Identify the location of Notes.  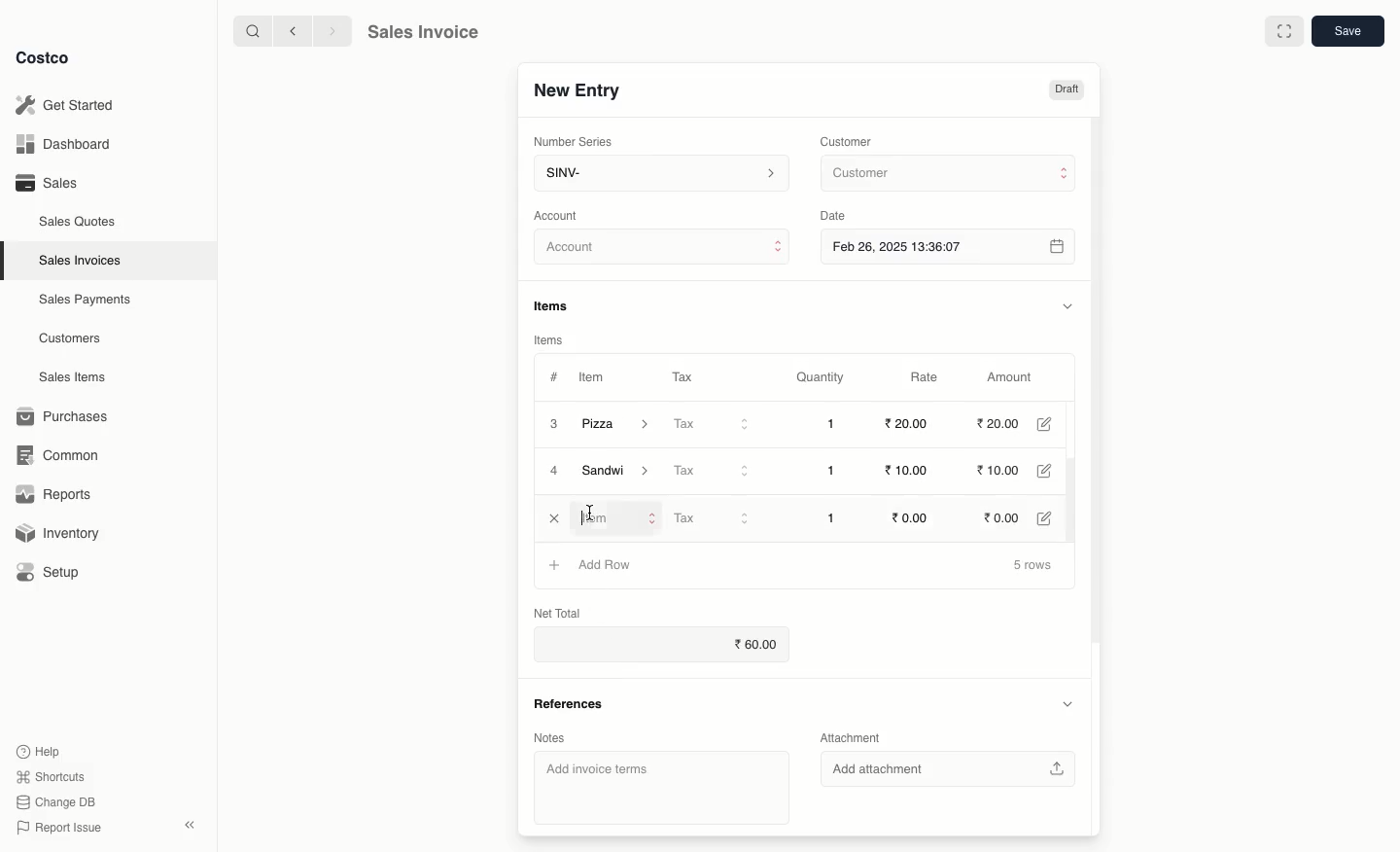
(548, 736).